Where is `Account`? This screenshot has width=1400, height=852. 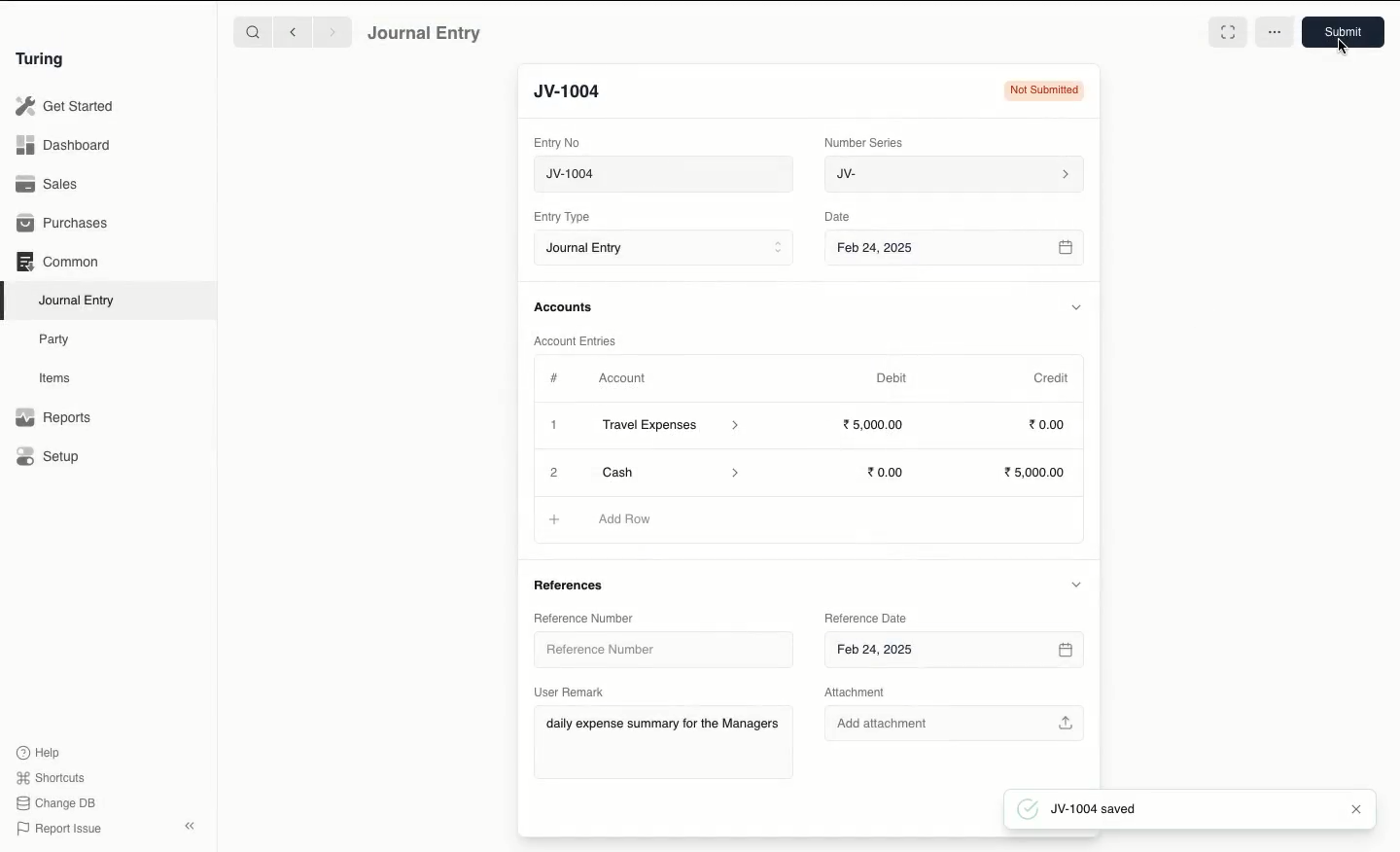 Account is located at coordinates (623, 378).